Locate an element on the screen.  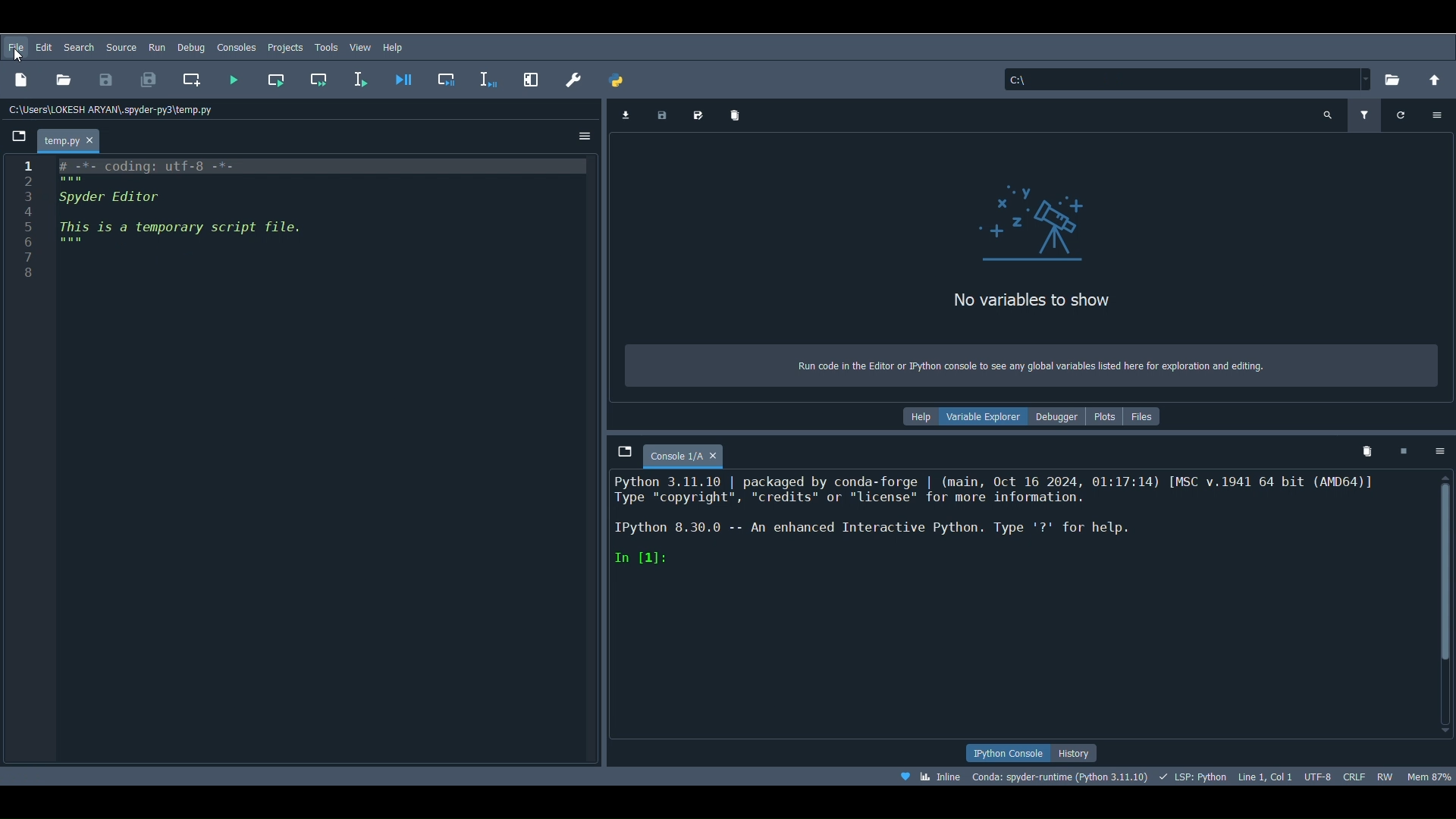
New file ( Ctrl + N) is located at coordinates (22, 78).